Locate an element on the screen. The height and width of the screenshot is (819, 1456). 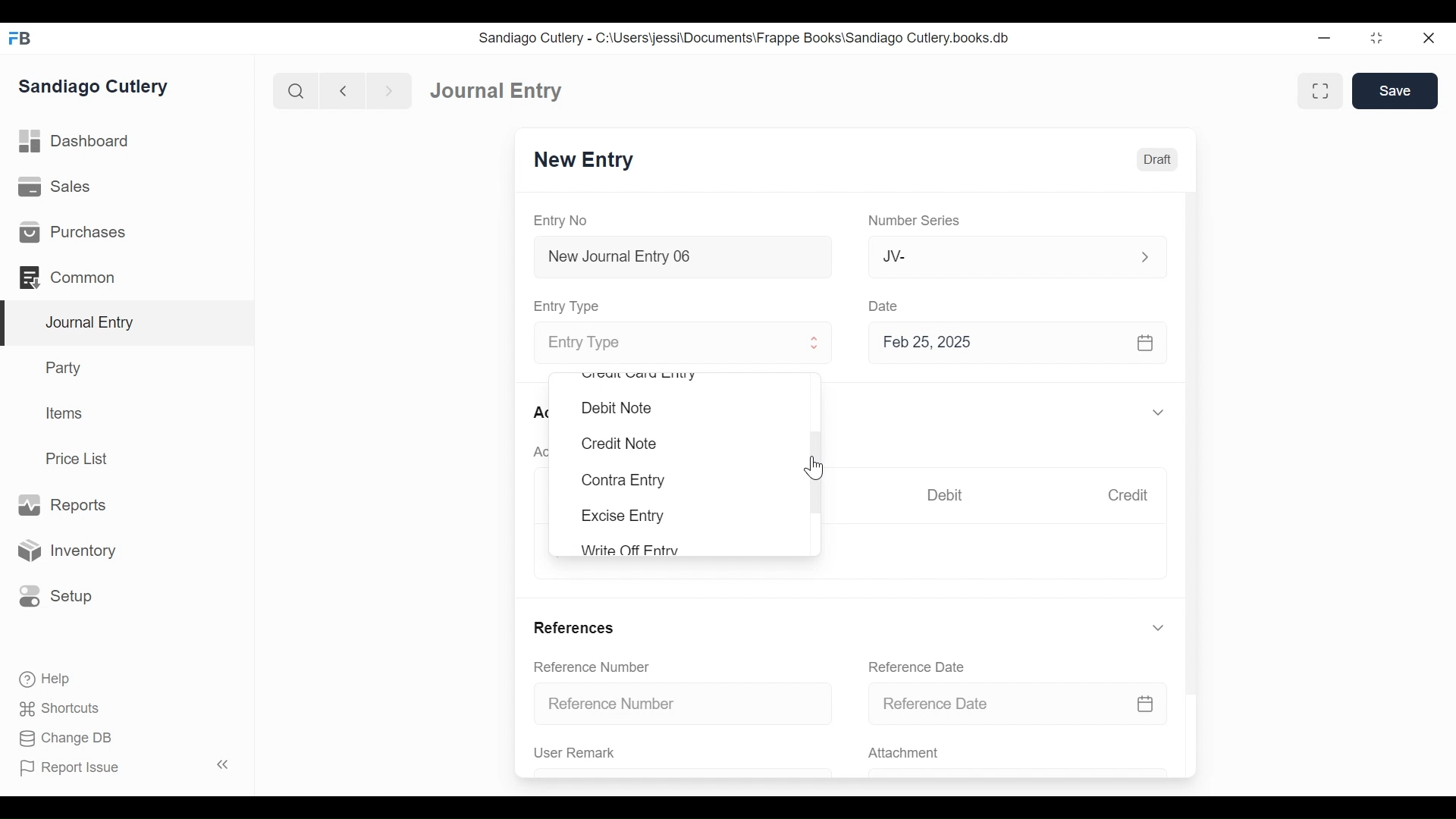
Contra Entry is located at coordinates (622, 481).